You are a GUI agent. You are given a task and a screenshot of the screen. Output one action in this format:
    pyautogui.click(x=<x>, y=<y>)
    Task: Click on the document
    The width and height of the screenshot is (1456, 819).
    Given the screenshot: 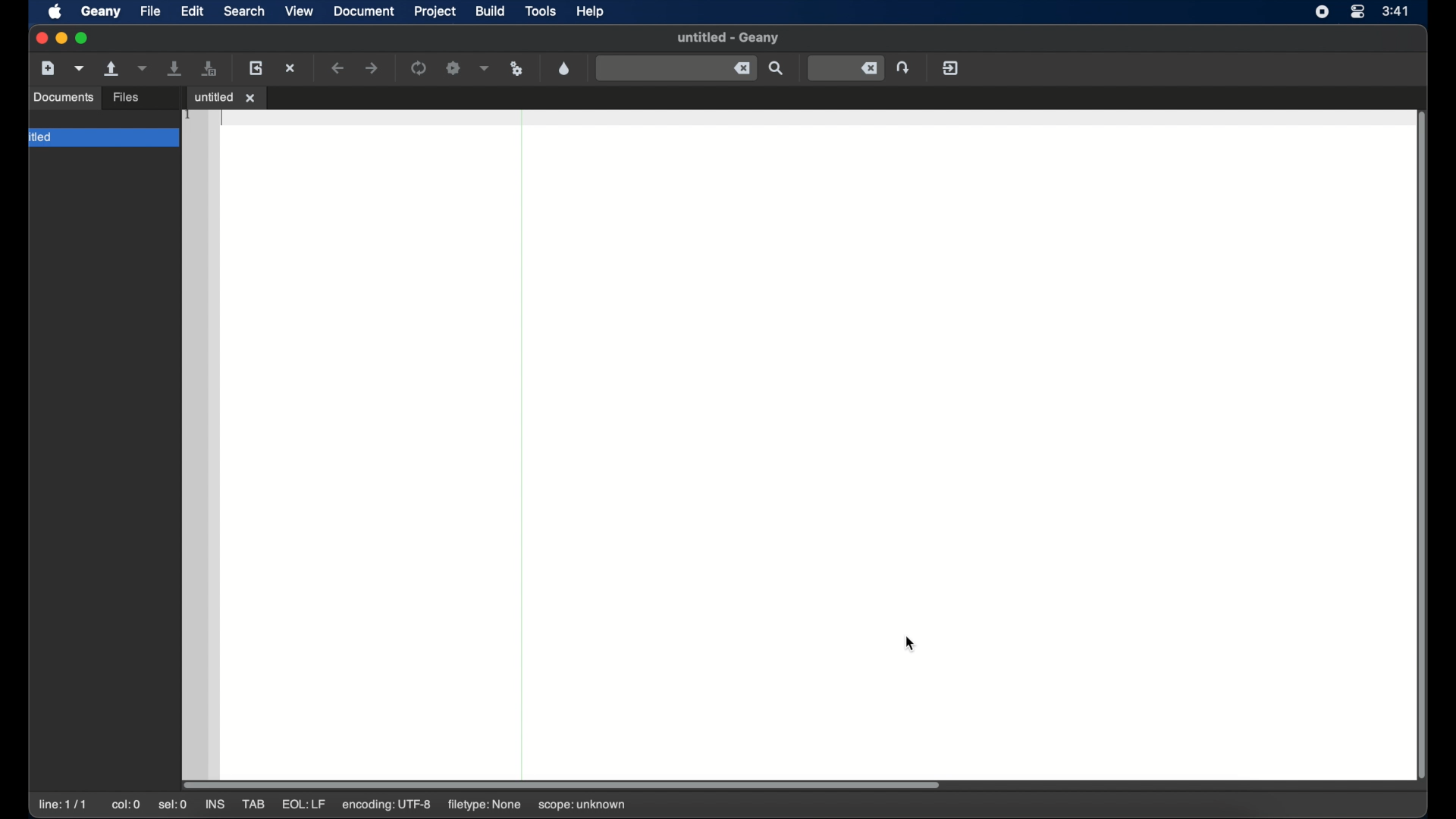 What is the action you would take?
    pyautogui.click(x=364, y=11)
    